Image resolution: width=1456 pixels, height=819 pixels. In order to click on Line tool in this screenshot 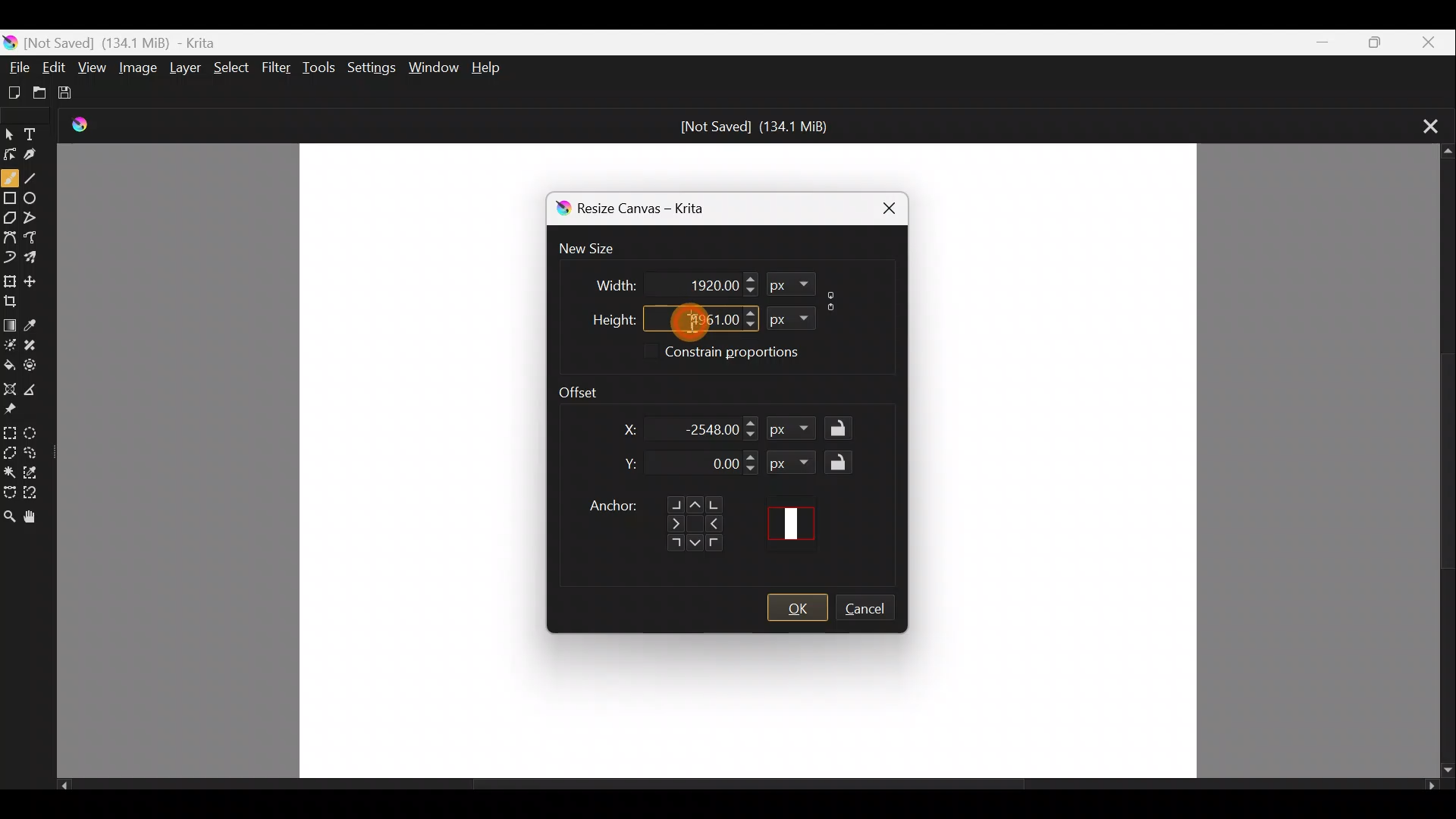, I will do `click(35, 178)`.